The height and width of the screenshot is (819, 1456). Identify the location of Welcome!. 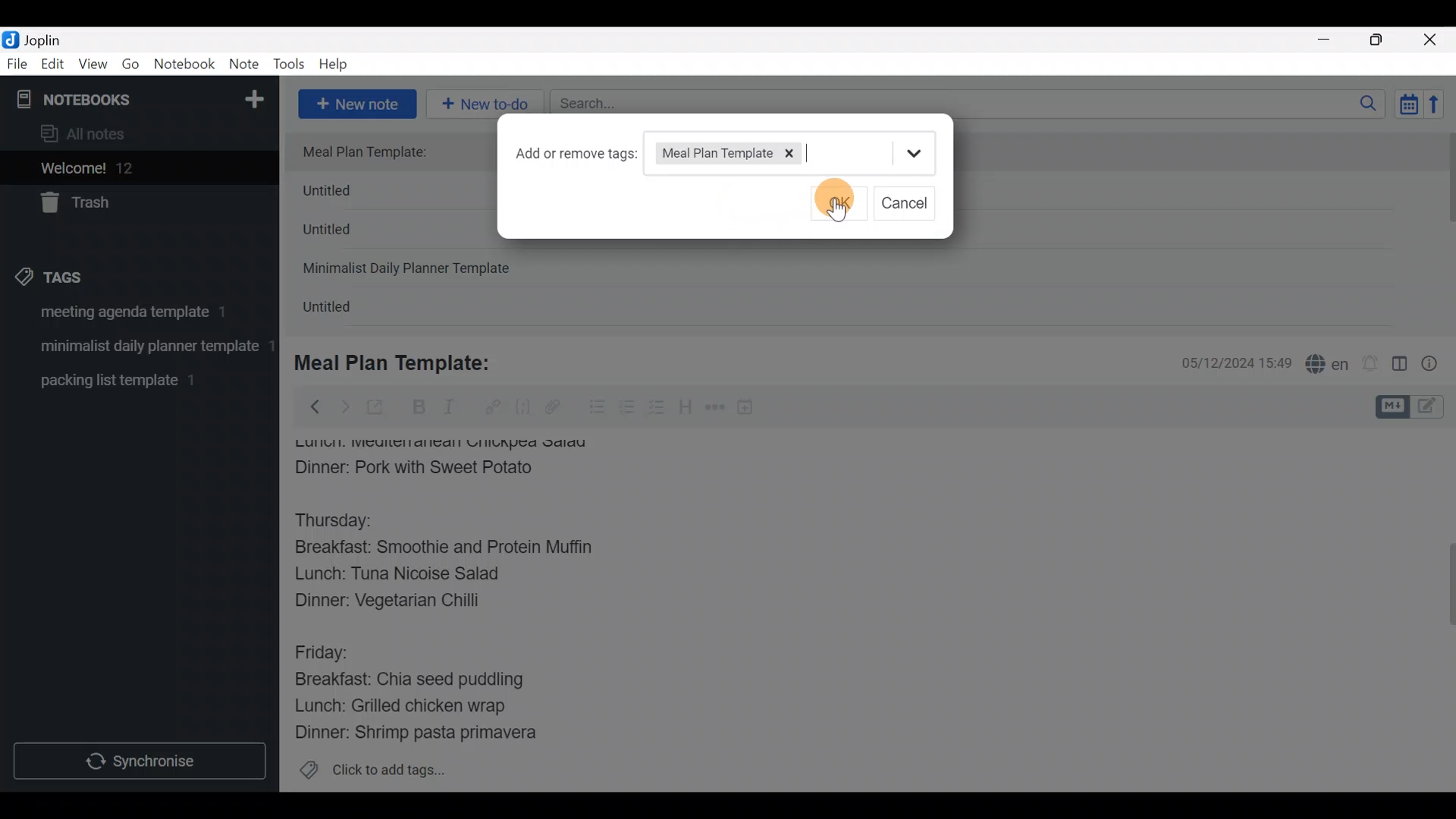
(137, 169).